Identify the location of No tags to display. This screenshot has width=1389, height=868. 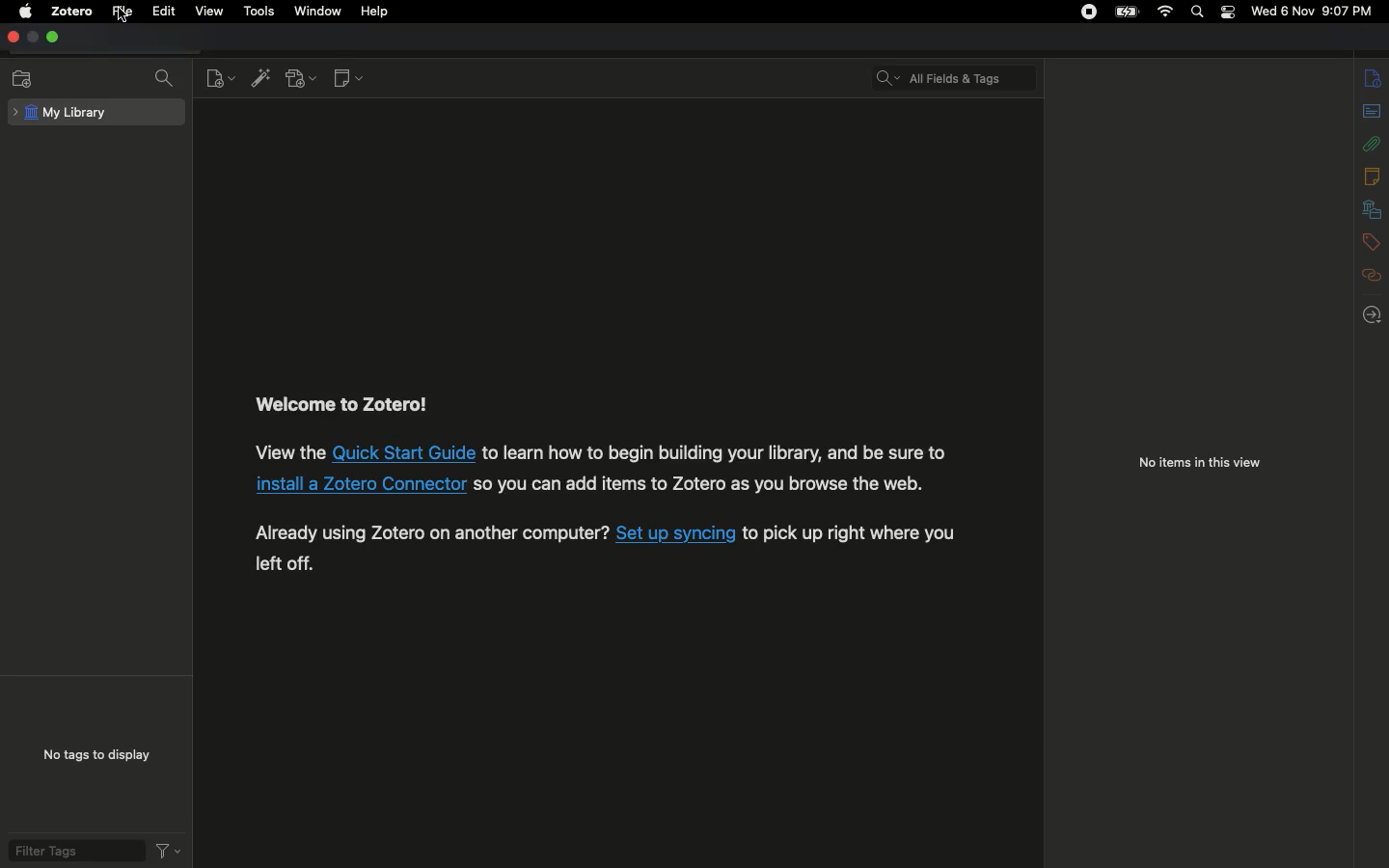
(92, 754).